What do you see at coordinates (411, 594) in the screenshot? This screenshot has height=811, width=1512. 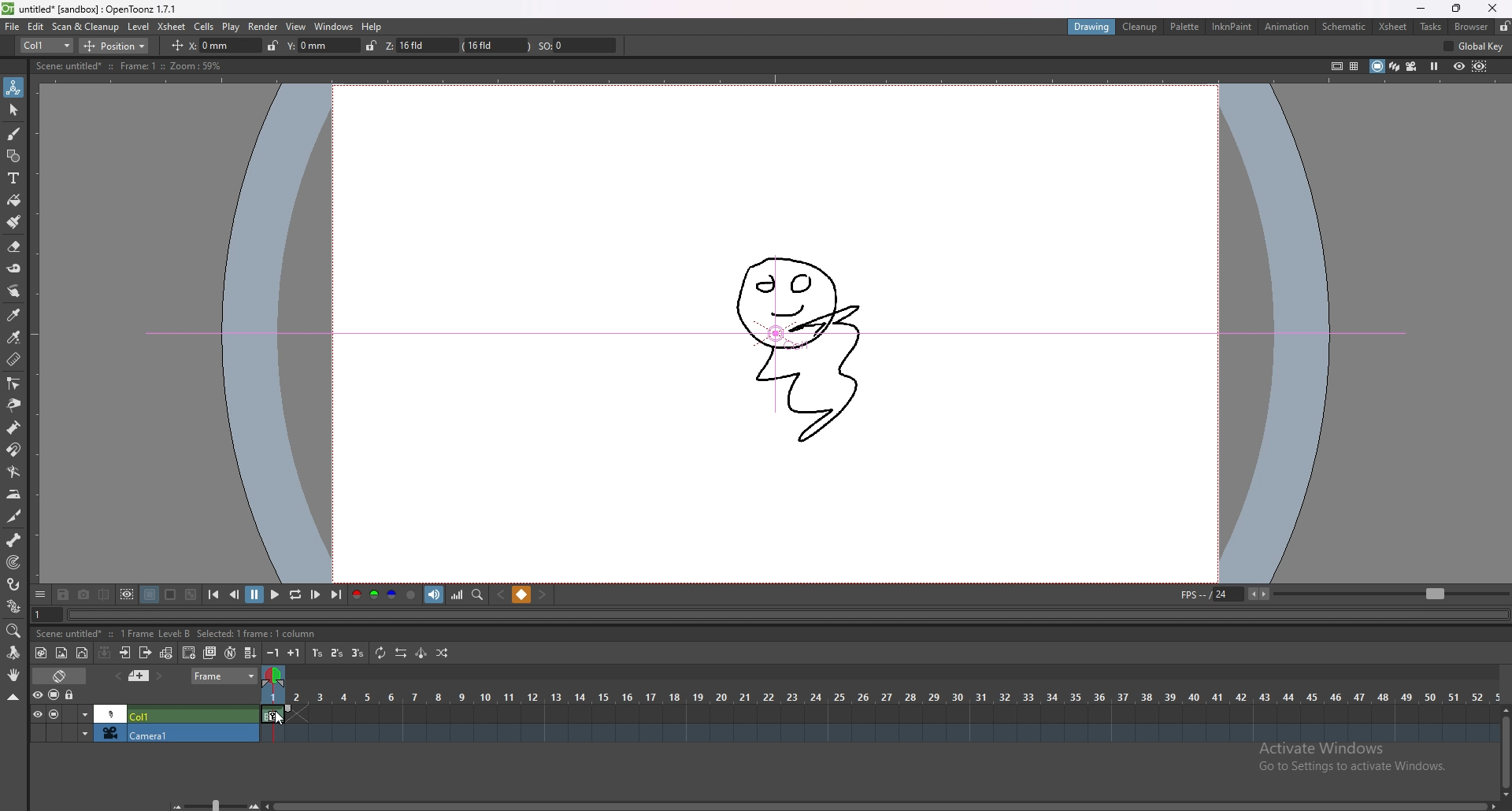 I see `alpha channel` at bounding box center [411, 594].